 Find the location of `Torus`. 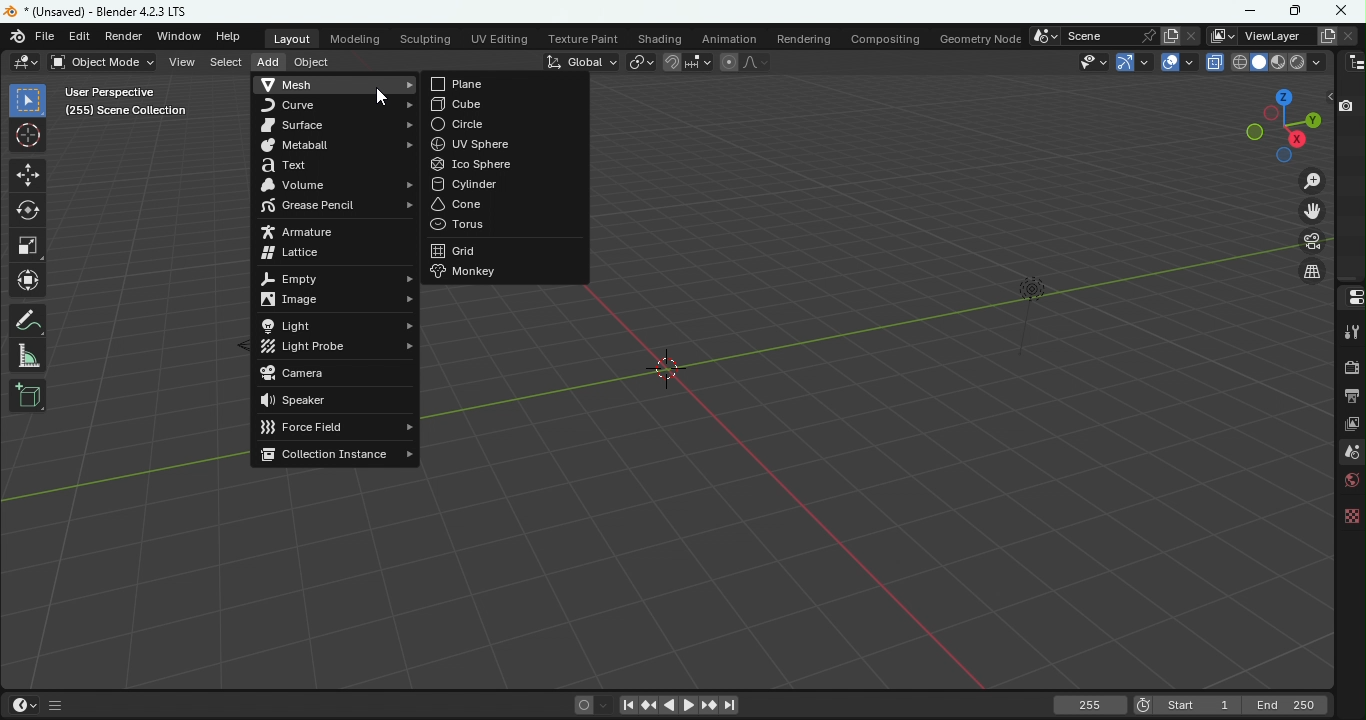

Torus is located at coordinates (500, 225).